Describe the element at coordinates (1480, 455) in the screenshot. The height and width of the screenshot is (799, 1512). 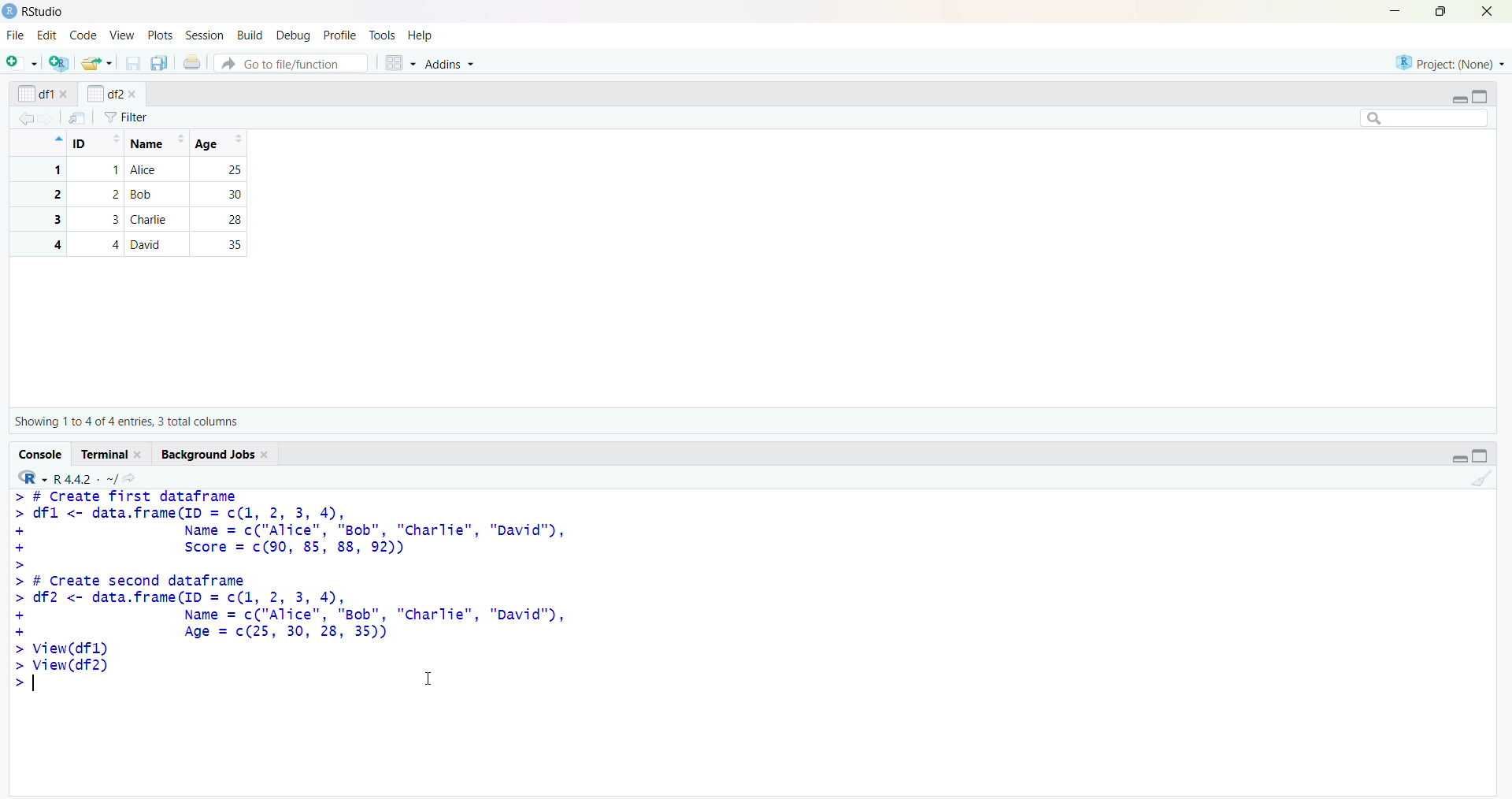
I see `toggle full view` at that location.